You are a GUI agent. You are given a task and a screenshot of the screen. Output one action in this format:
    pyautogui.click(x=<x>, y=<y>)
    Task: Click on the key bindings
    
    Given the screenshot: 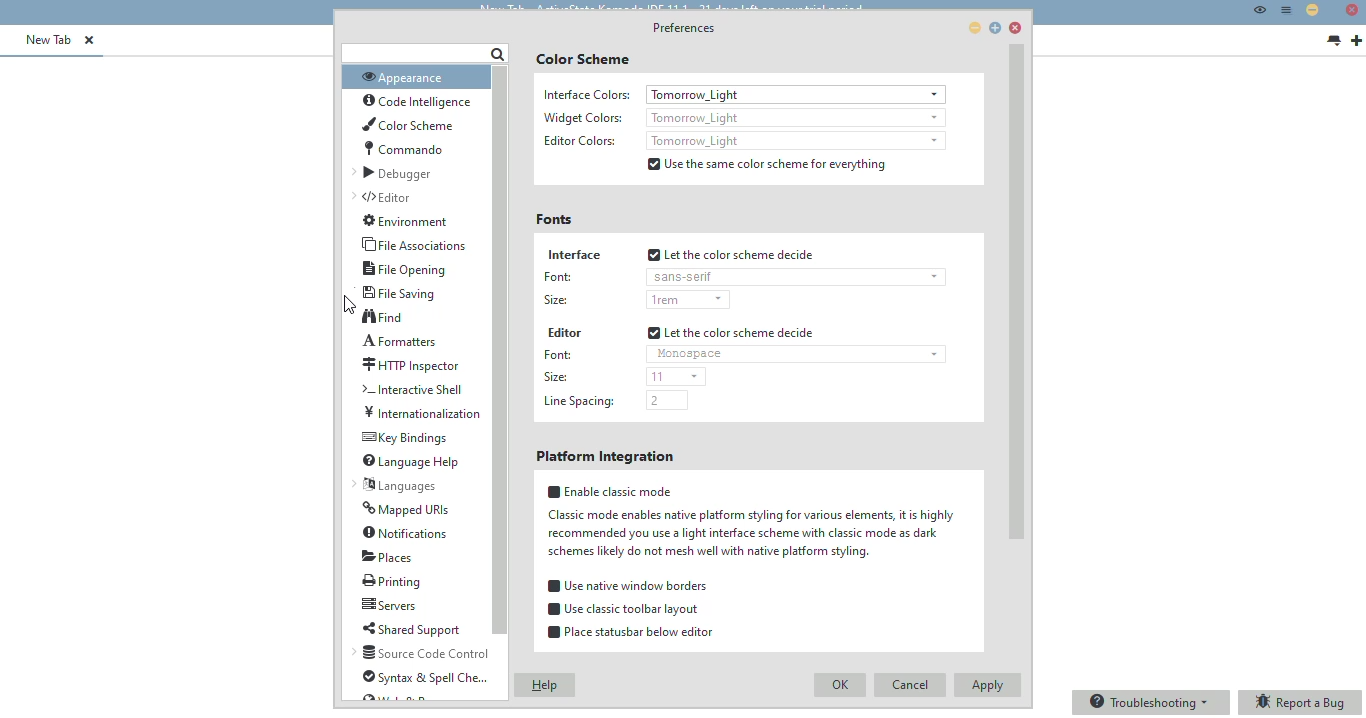 What is the action you would take?
    pyautogui.click(x=403, y=438)
    